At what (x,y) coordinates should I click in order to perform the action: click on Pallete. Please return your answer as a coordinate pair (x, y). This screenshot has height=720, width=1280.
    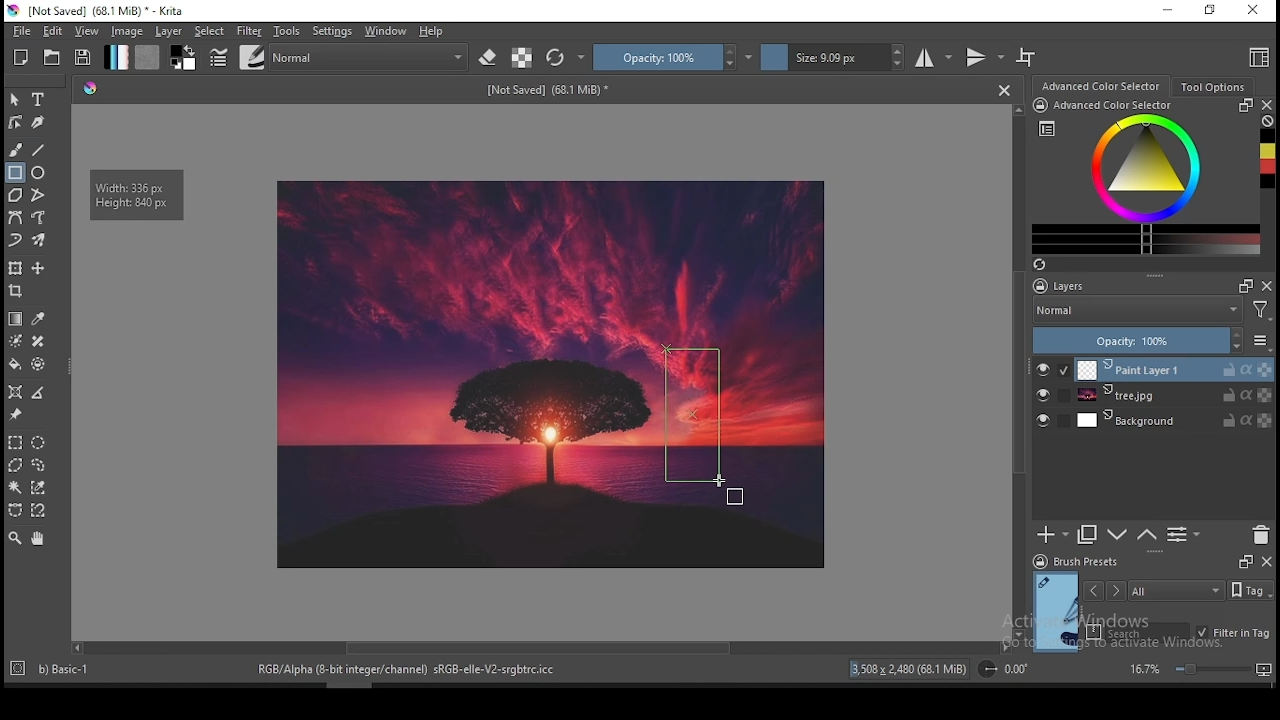
    Looking at the image, I should click on (91, 90).